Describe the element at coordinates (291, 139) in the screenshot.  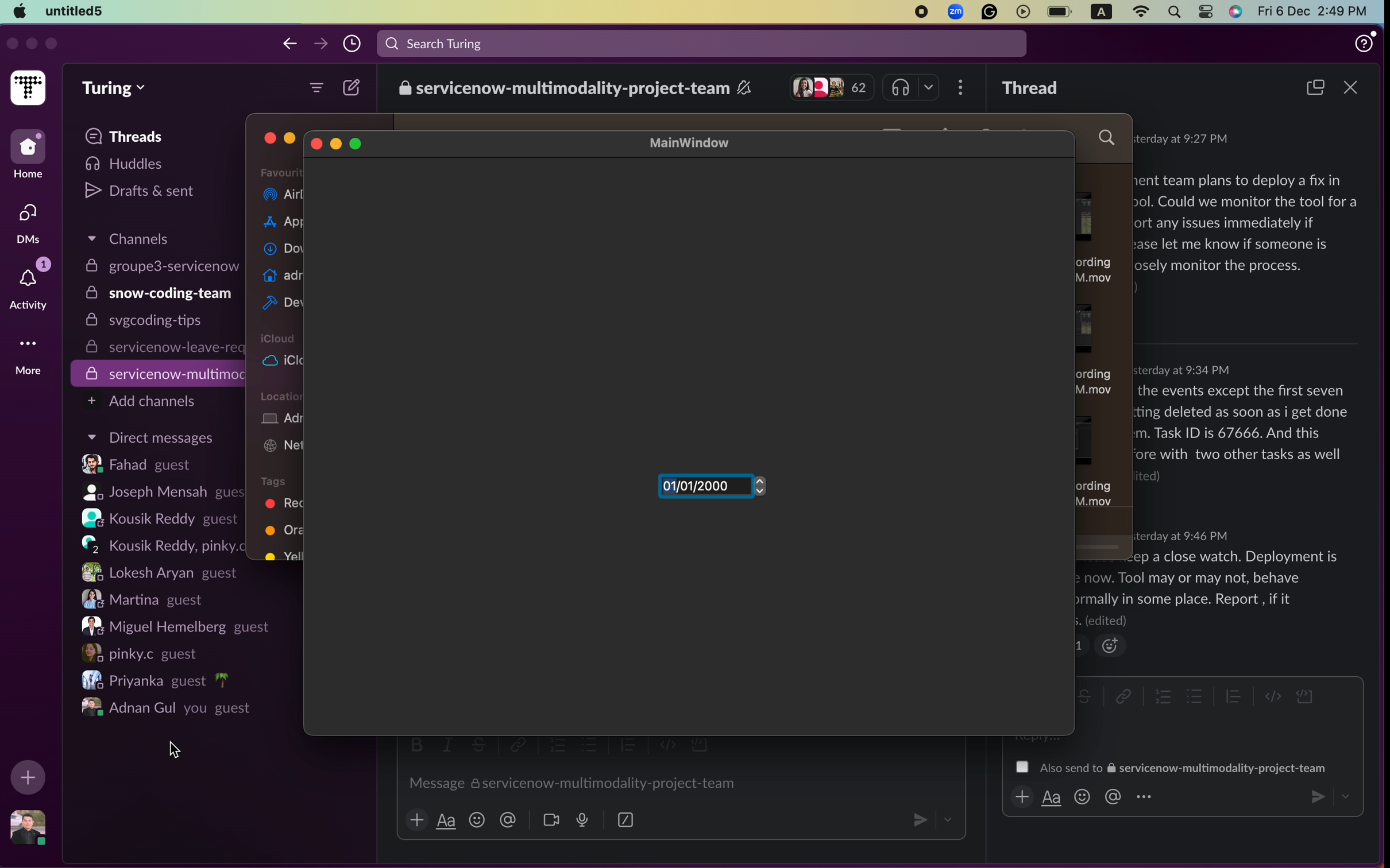
I see `minimize` at that location.